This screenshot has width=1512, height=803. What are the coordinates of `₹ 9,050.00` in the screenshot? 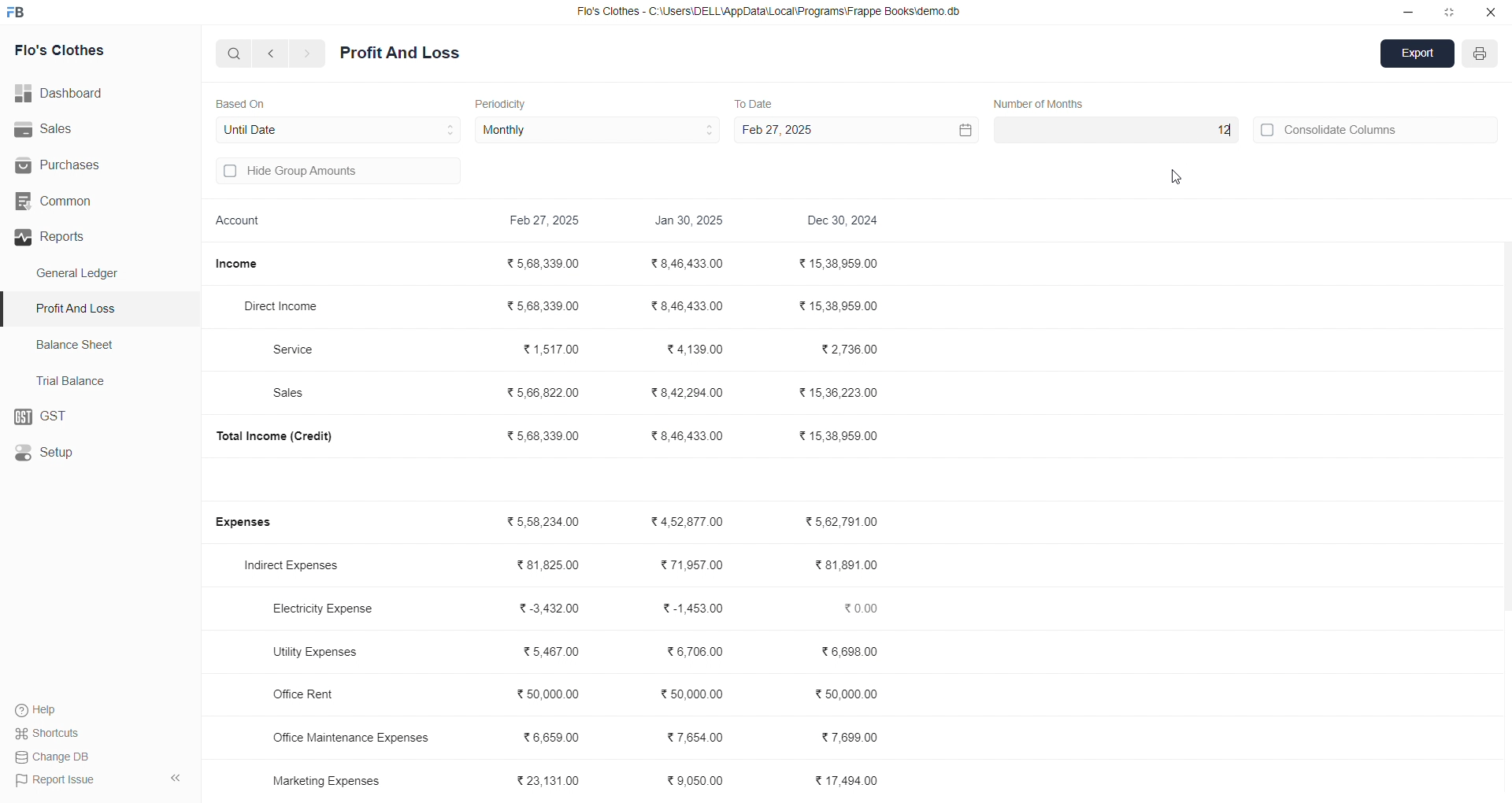 It's located at (700, 783).